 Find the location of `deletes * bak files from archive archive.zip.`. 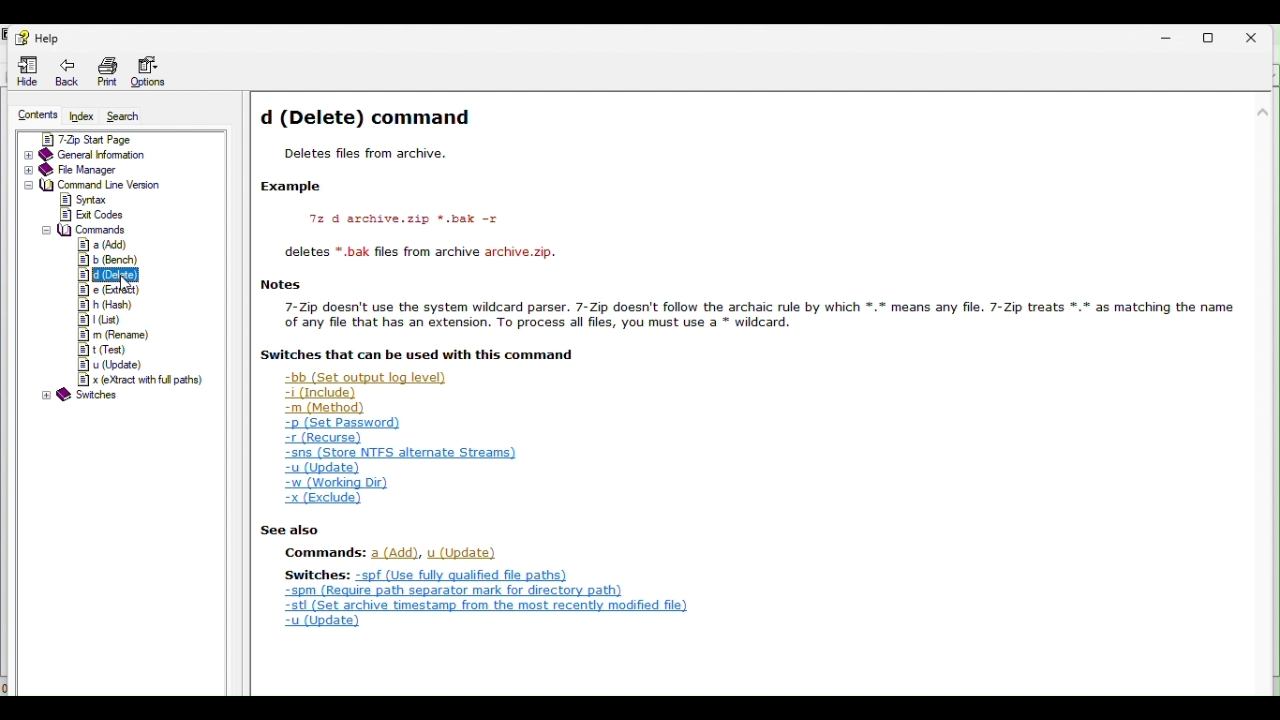

deletes * bak files from archive archive.zip. is located at coordinates (437, 253).